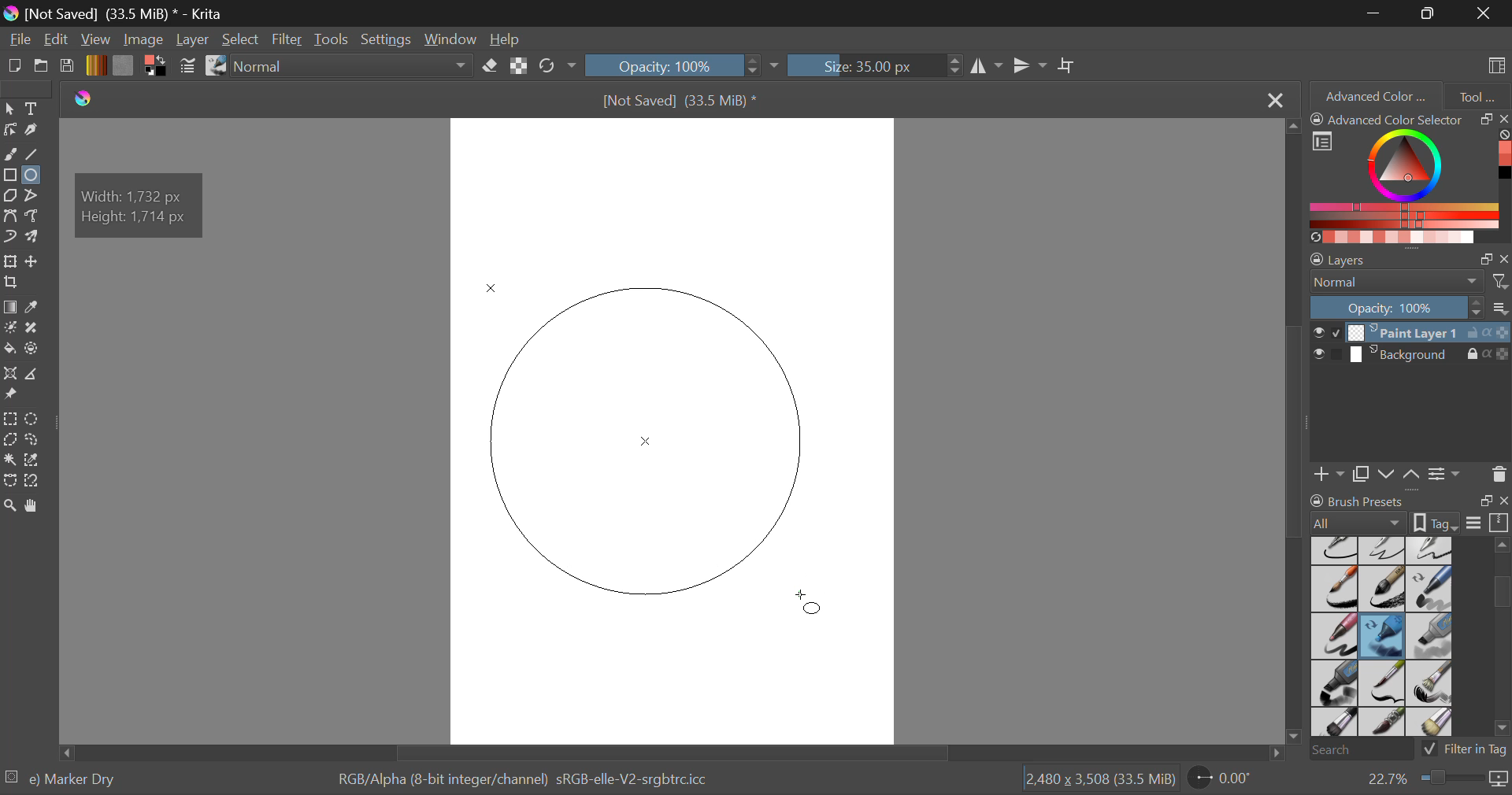 This screenshot has width=1512, height=795. Describe the element at coordinates (11, 284) in the screenshot. I see `Crop a layer` at that location.